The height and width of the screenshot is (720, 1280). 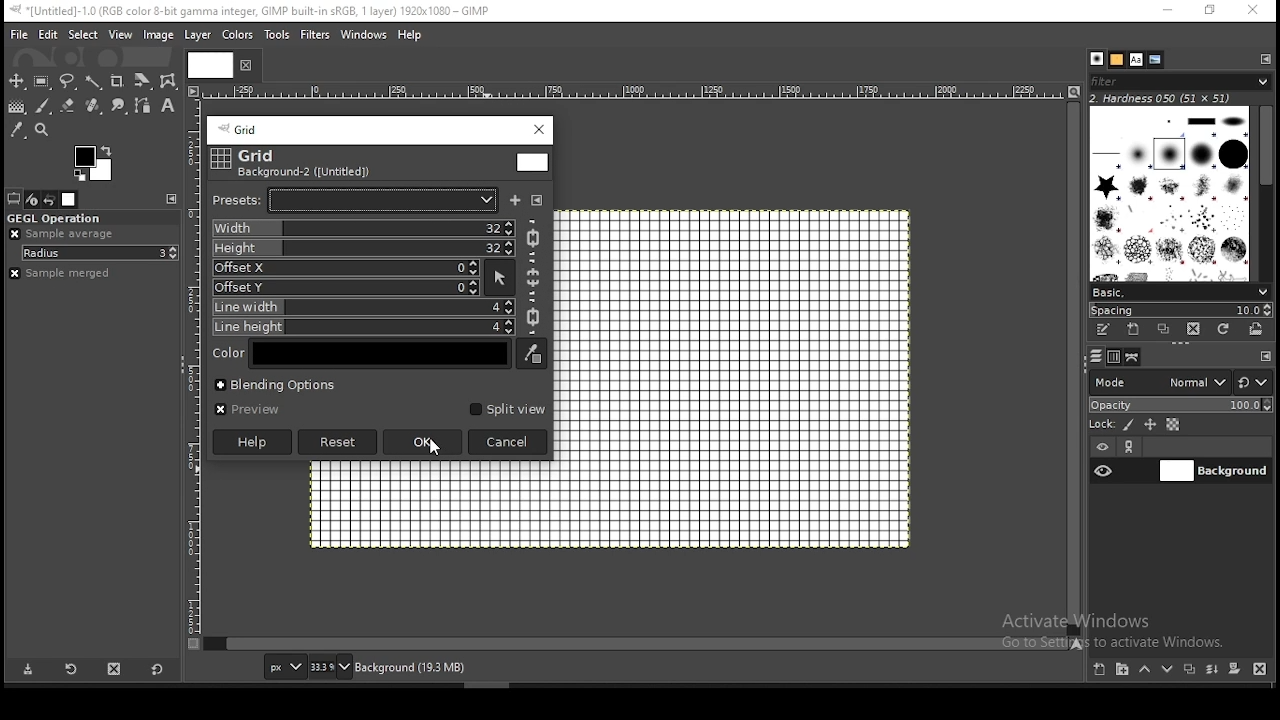 What do you see at coordinates (1171, 669) in the screenshot?
I see `move layer on step down` at bounding box center [1171, 669].